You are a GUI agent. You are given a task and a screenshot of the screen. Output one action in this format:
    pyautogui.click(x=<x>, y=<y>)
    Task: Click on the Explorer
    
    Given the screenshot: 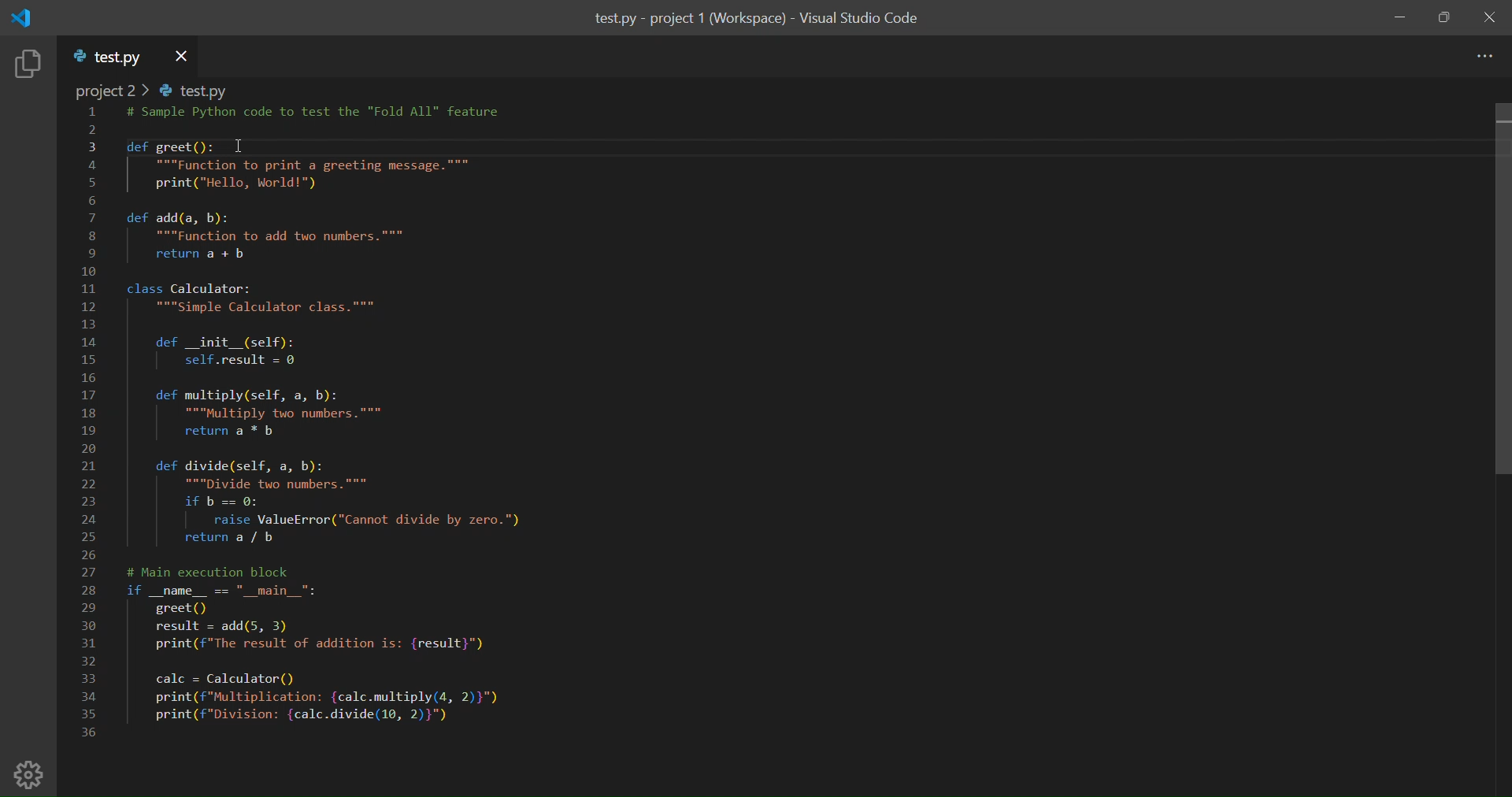 What is the action you would take?
    pyautogui.click(x=28, y=65)
    